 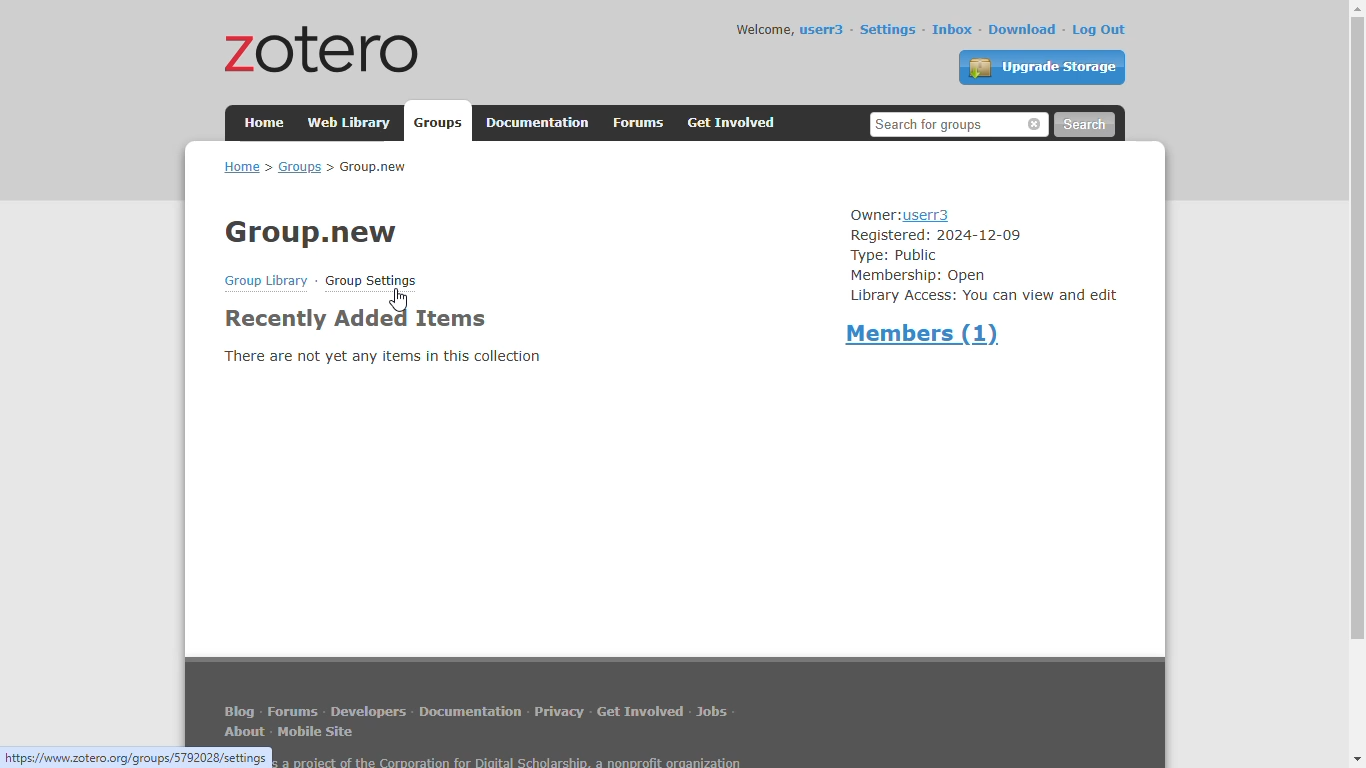 What do you see at coordinates (936, 236) in the screenshot?
I see `registered: 2024-12-09` at bounding box center [936, 236].